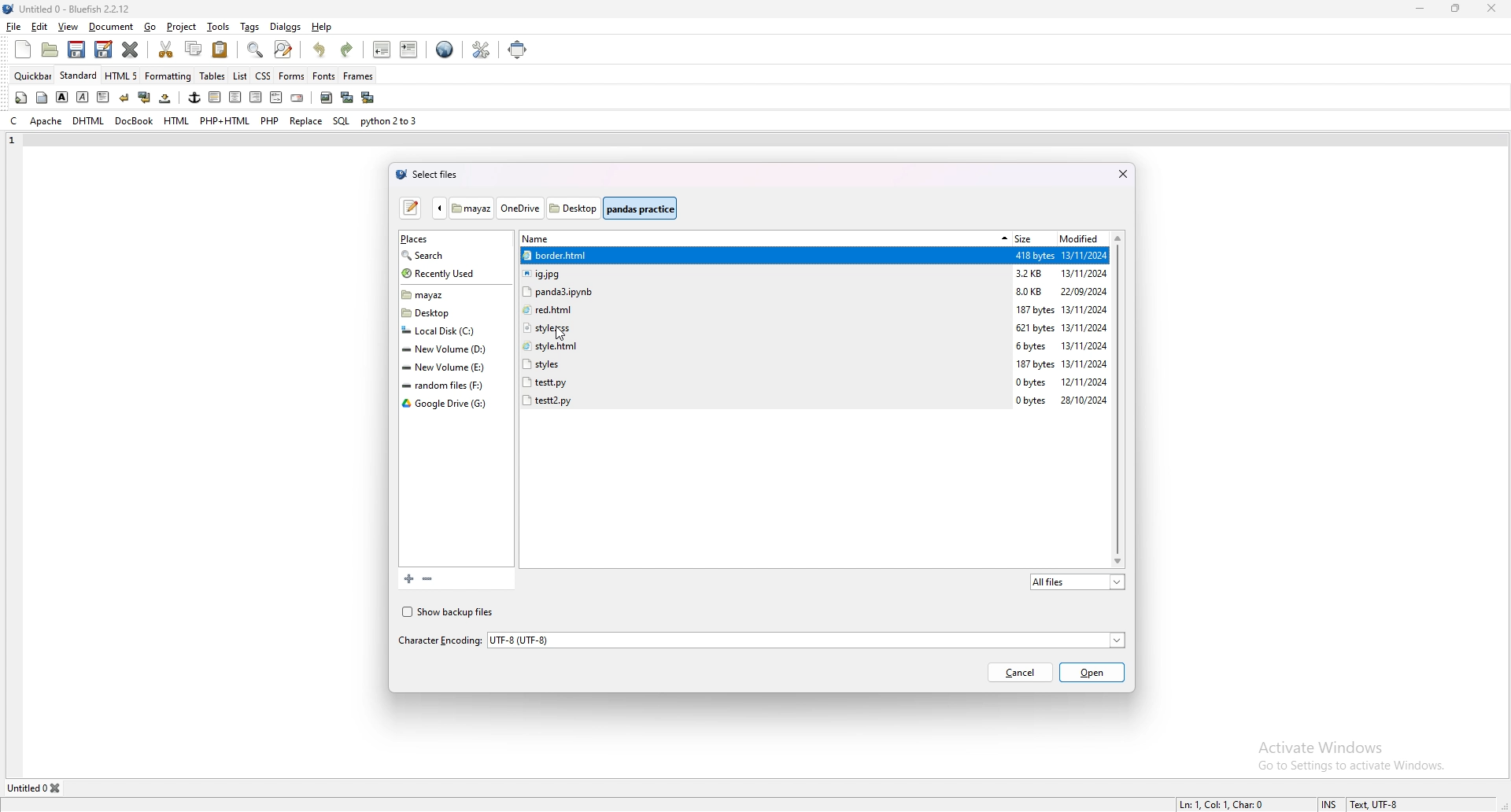 The width and height of the screenshot is (1511, 812). What do you see at coordinates (412, 208) in the screenshot?
I see `type a file name` at bounding box center [412, 208].